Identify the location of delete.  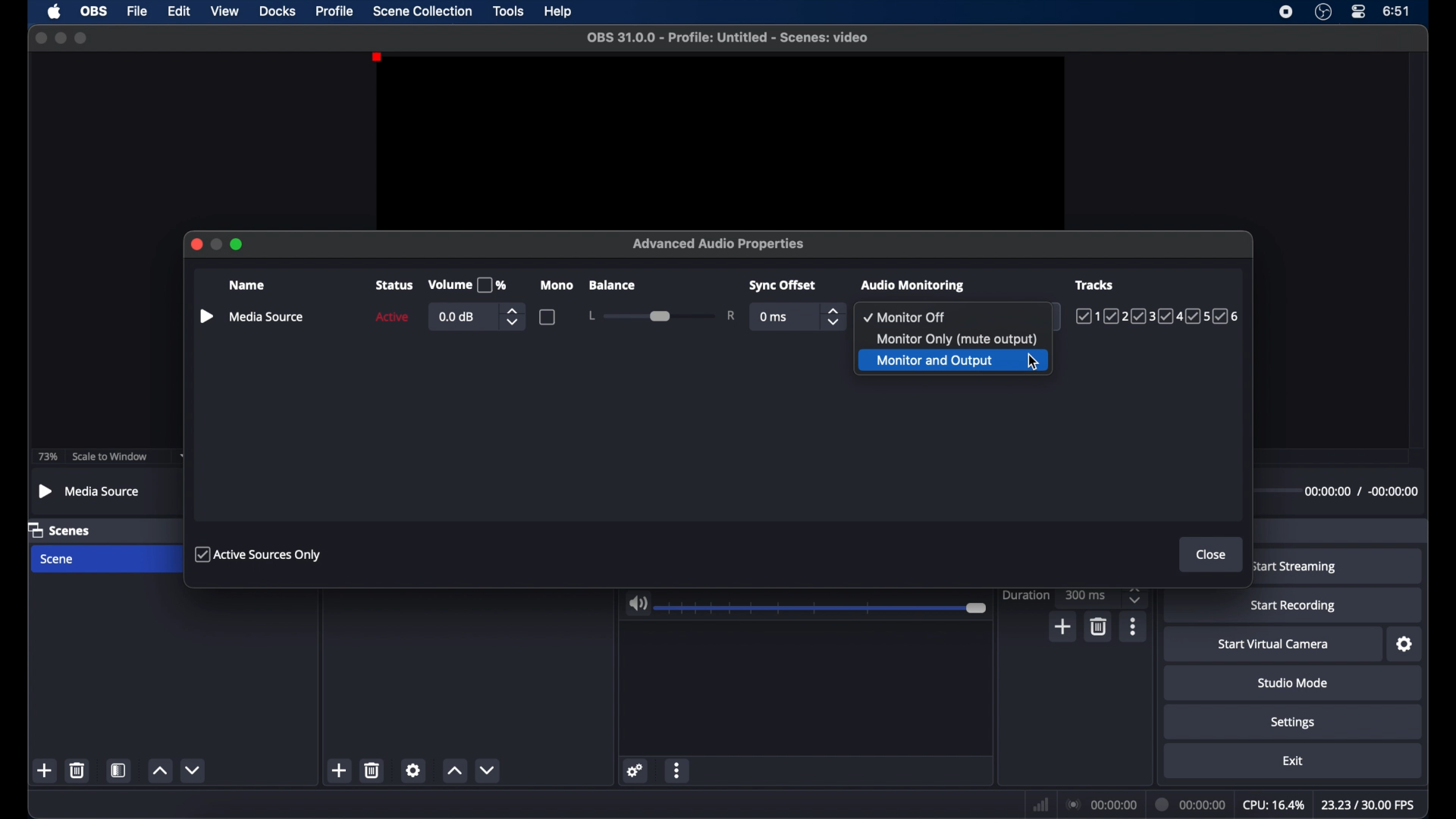
(77, 770).